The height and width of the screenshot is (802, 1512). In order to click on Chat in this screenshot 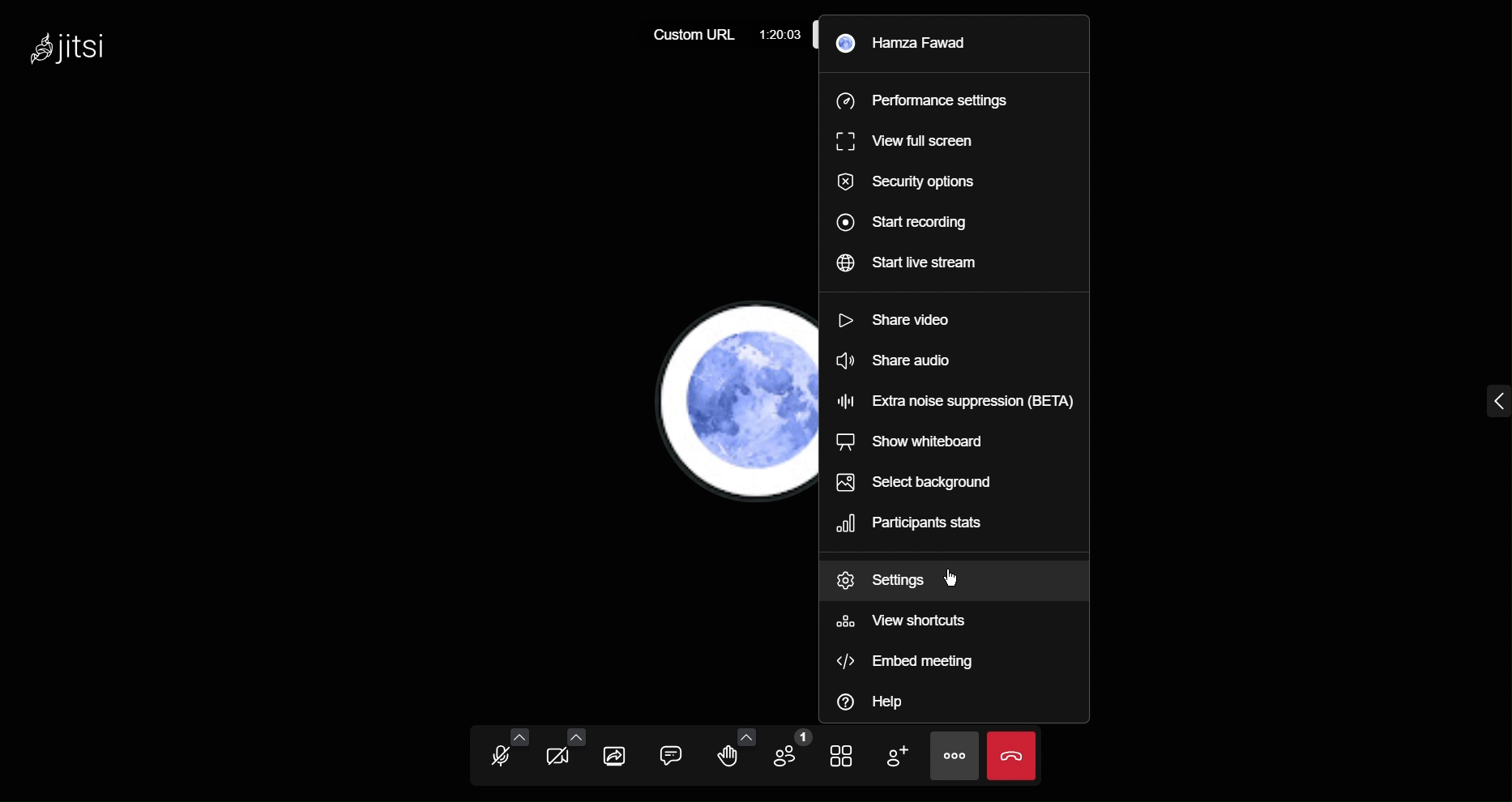, I will do `click(676, 753)`.